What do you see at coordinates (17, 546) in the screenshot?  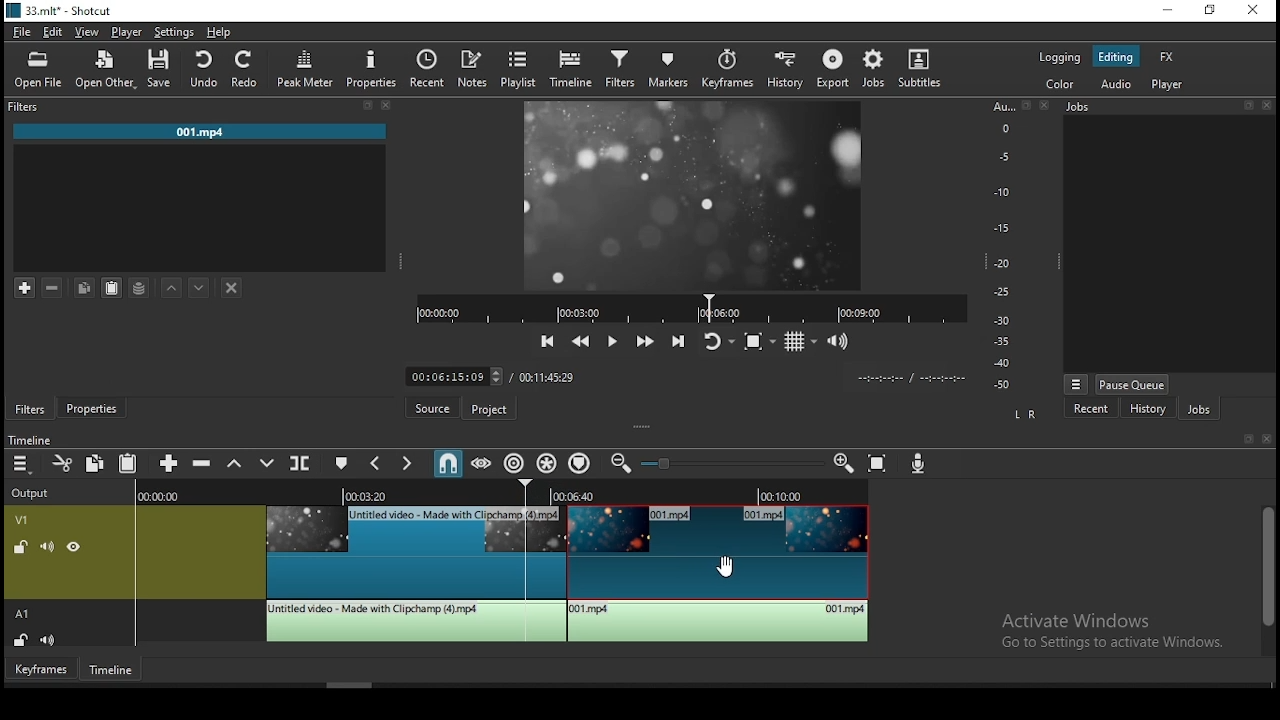 I see `*un)lock` at bounding box center [17, 546].